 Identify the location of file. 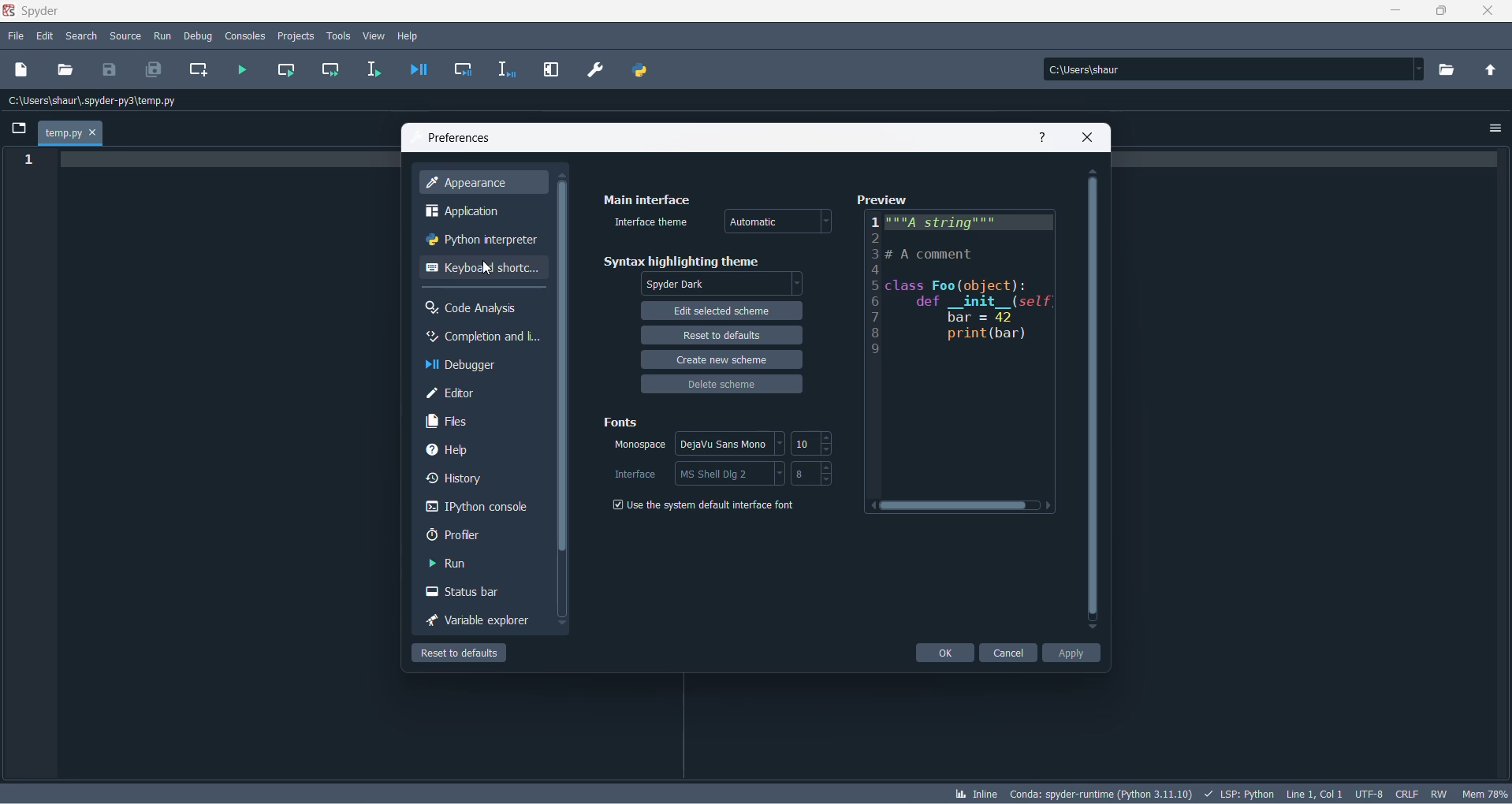
(15, 37).